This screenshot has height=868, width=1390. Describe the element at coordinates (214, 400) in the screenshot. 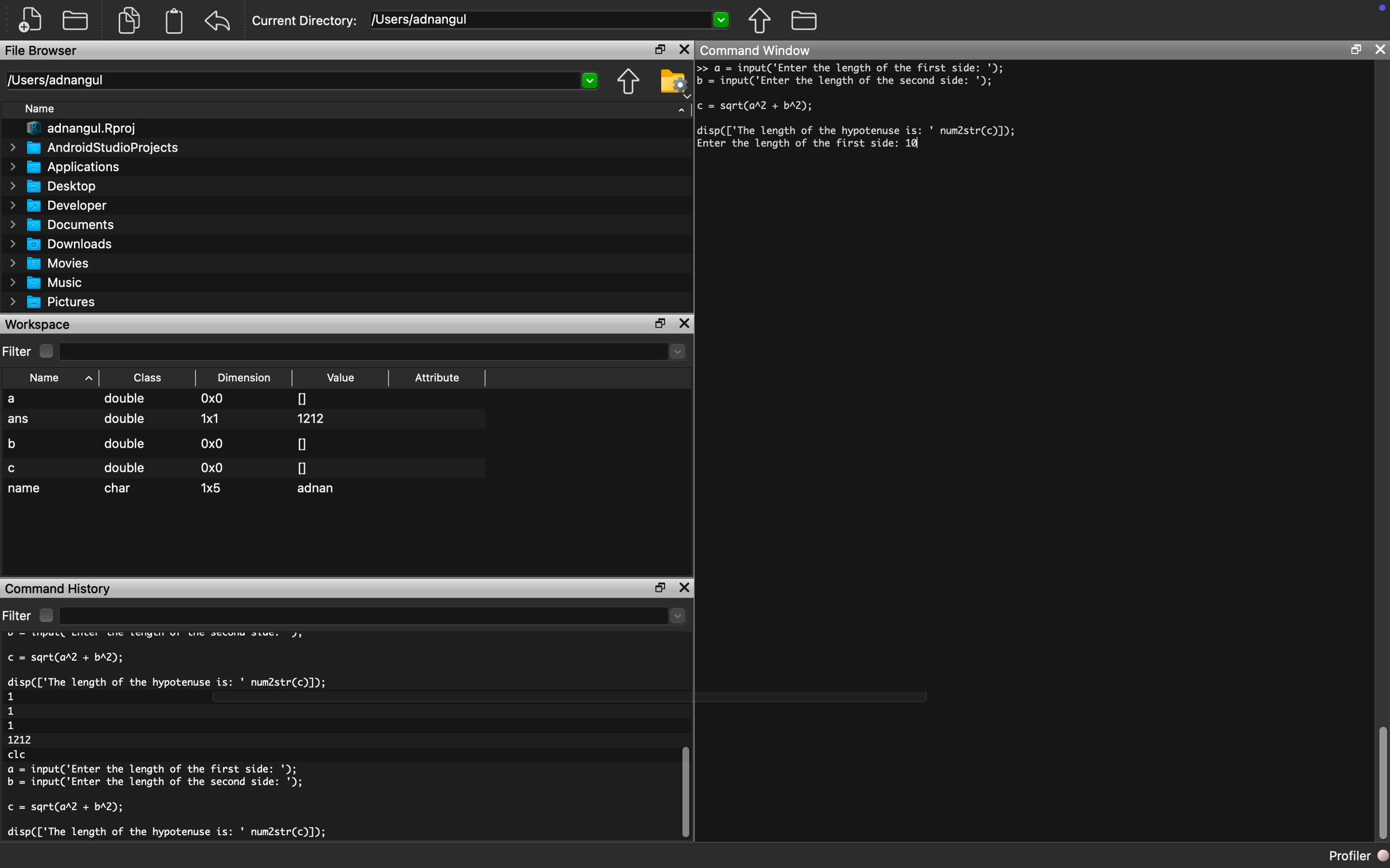

I see `0x0` at that location.